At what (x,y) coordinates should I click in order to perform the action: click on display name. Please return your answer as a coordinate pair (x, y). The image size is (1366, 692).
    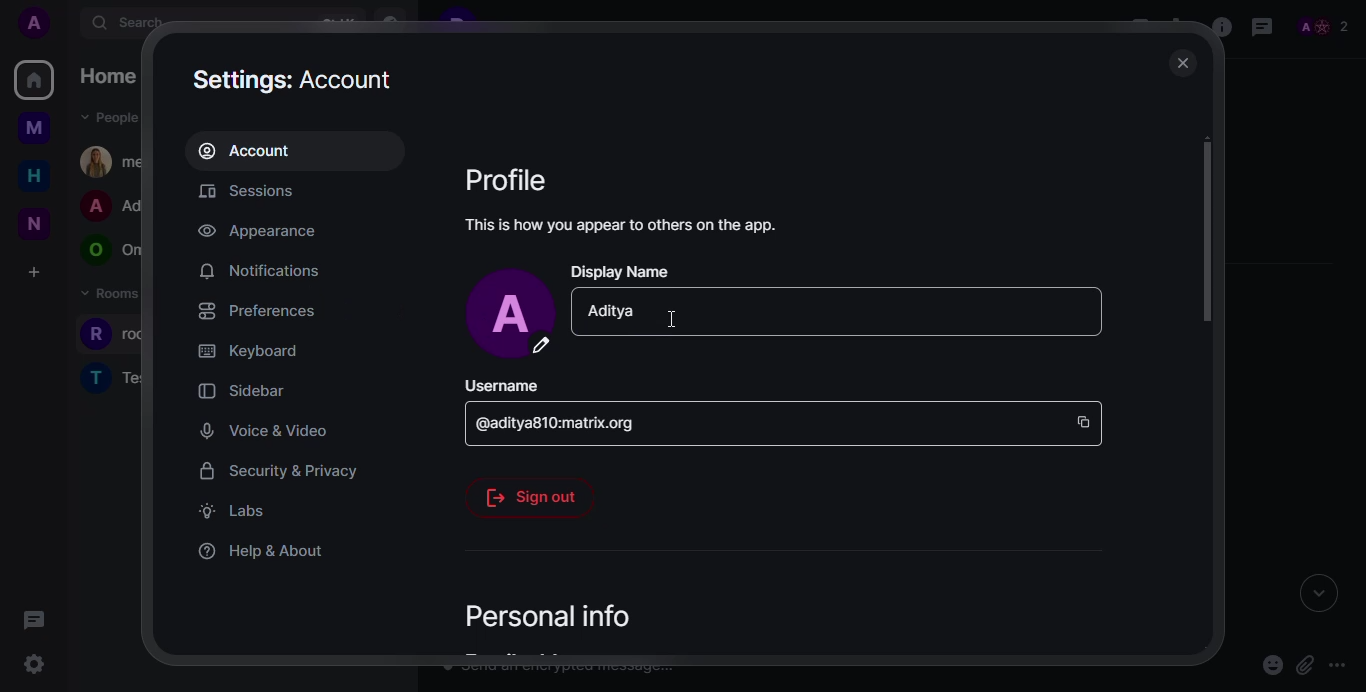
    Looking at the image, I should click on (622, 271).